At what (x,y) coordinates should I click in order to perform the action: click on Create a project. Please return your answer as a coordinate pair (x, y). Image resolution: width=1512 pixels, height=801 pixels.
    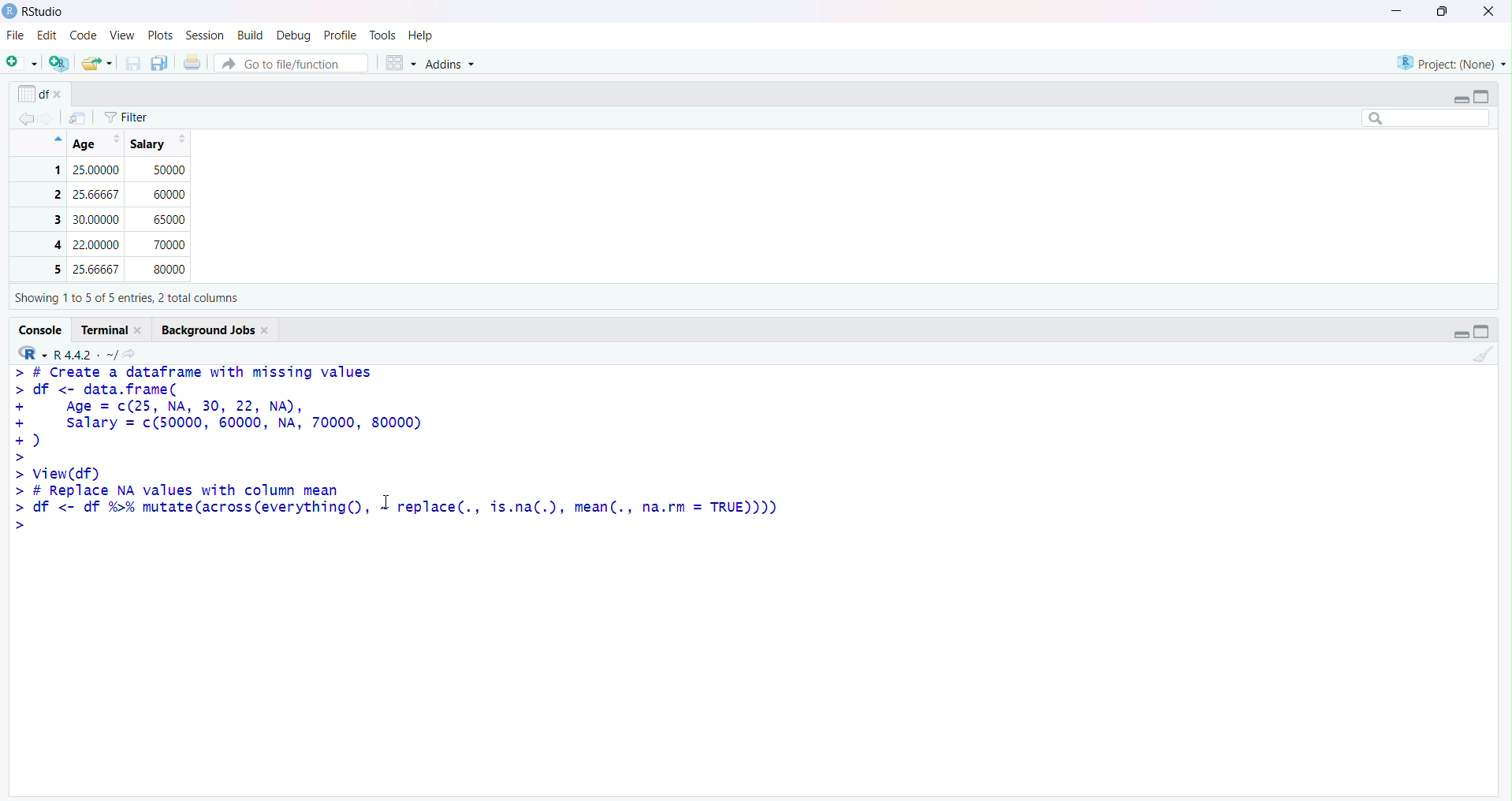
    Looking at the image, I should click on (60, 61).